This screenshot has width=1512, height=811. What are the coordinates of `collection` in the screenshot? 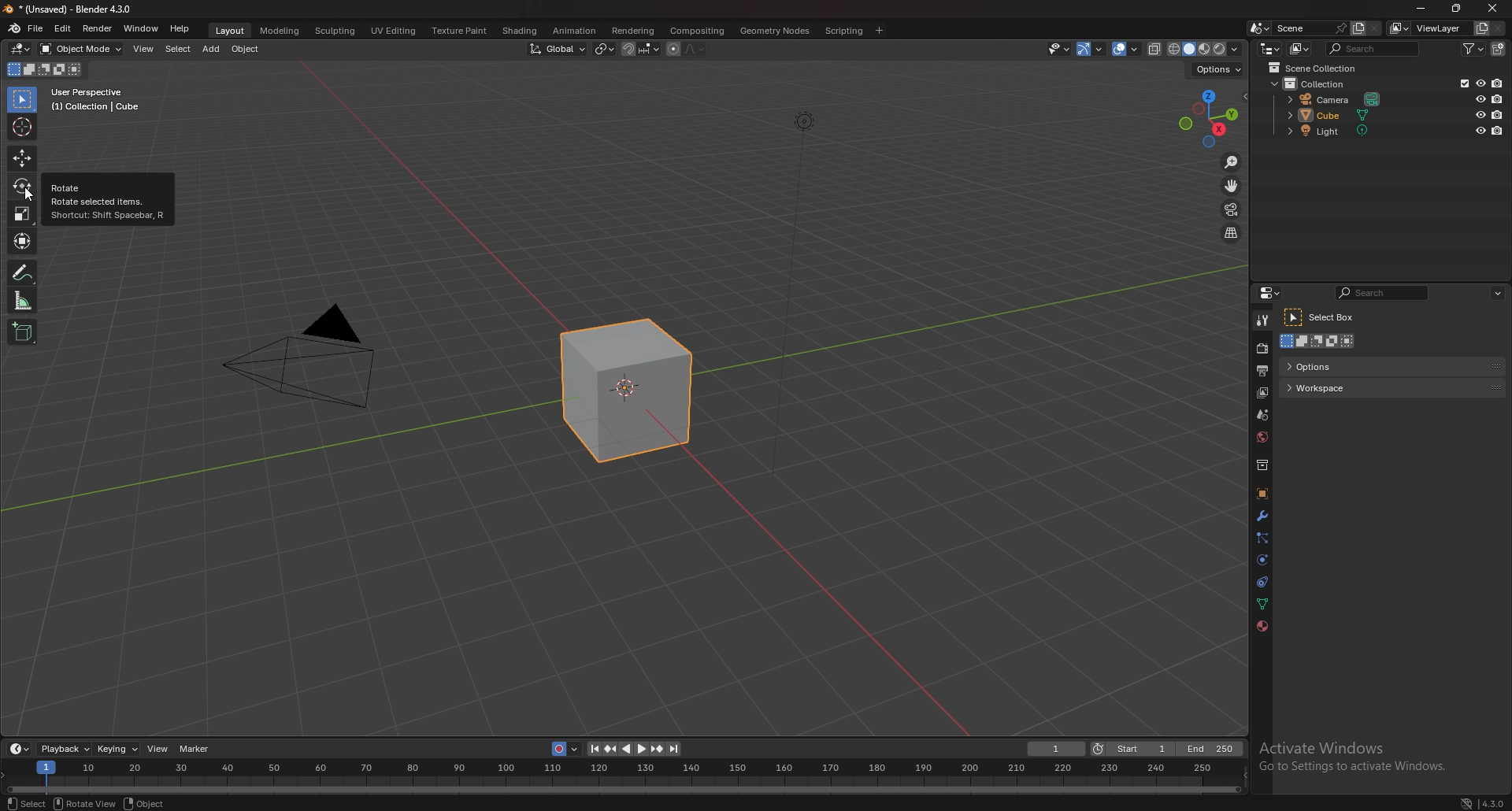 It's located at (1316, 83).